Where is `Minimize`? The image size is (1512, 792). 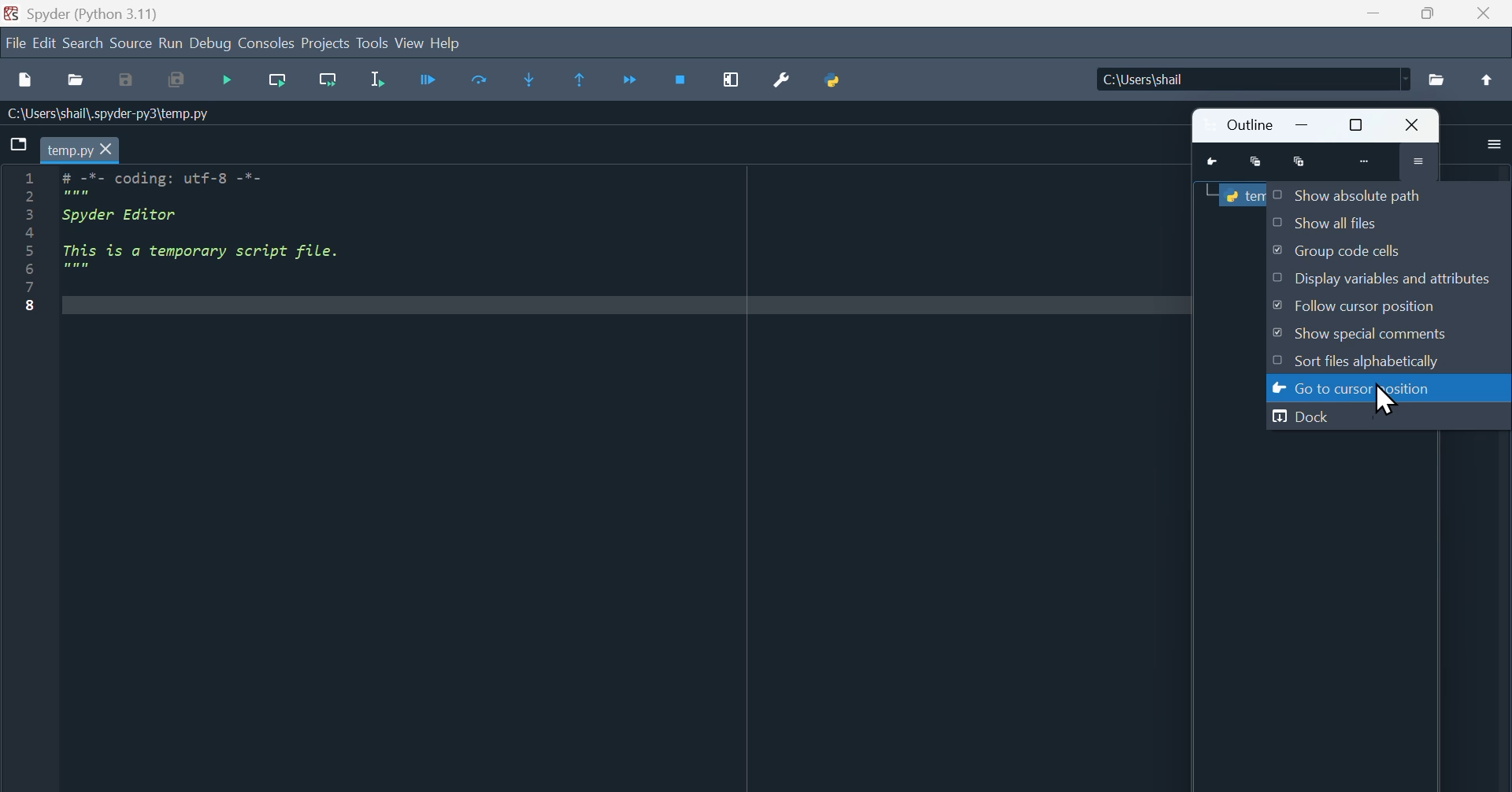
Minimize is located at coordinates (1304, 125).